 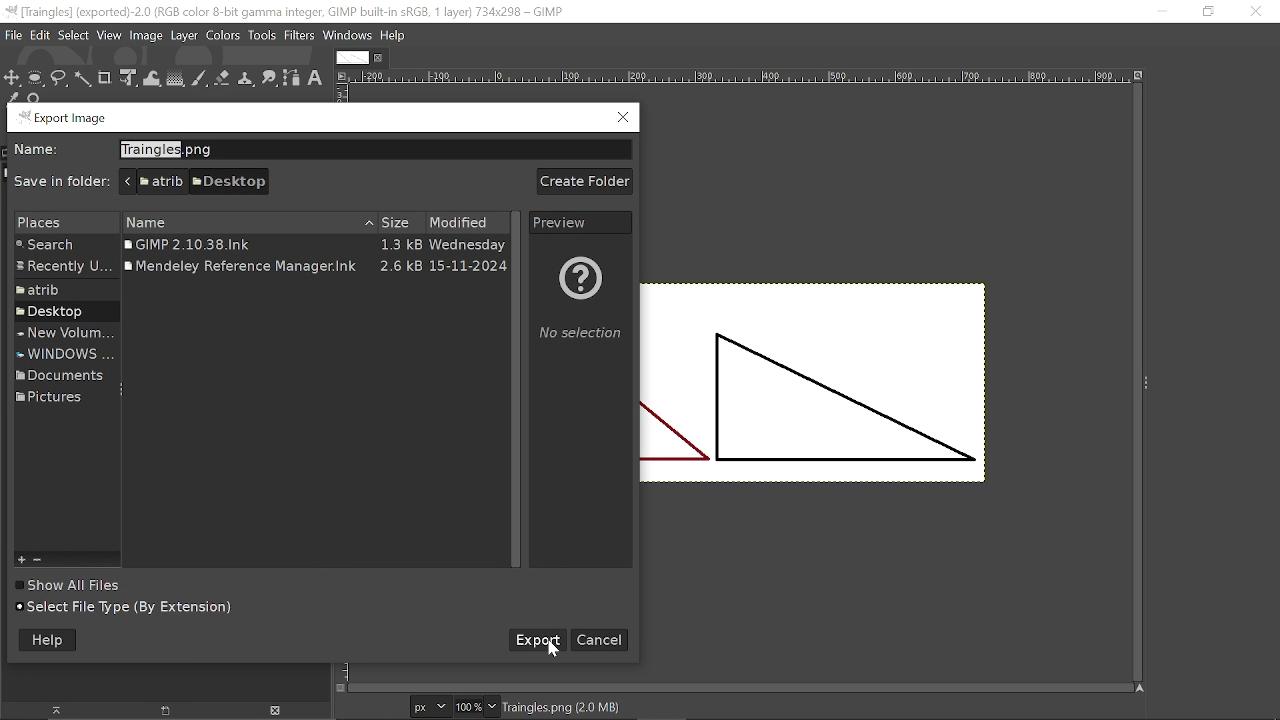 What do you see at coordinates (277, 711) in the screenshot?
I see `Delete this image` at bounding box center [277, 711].